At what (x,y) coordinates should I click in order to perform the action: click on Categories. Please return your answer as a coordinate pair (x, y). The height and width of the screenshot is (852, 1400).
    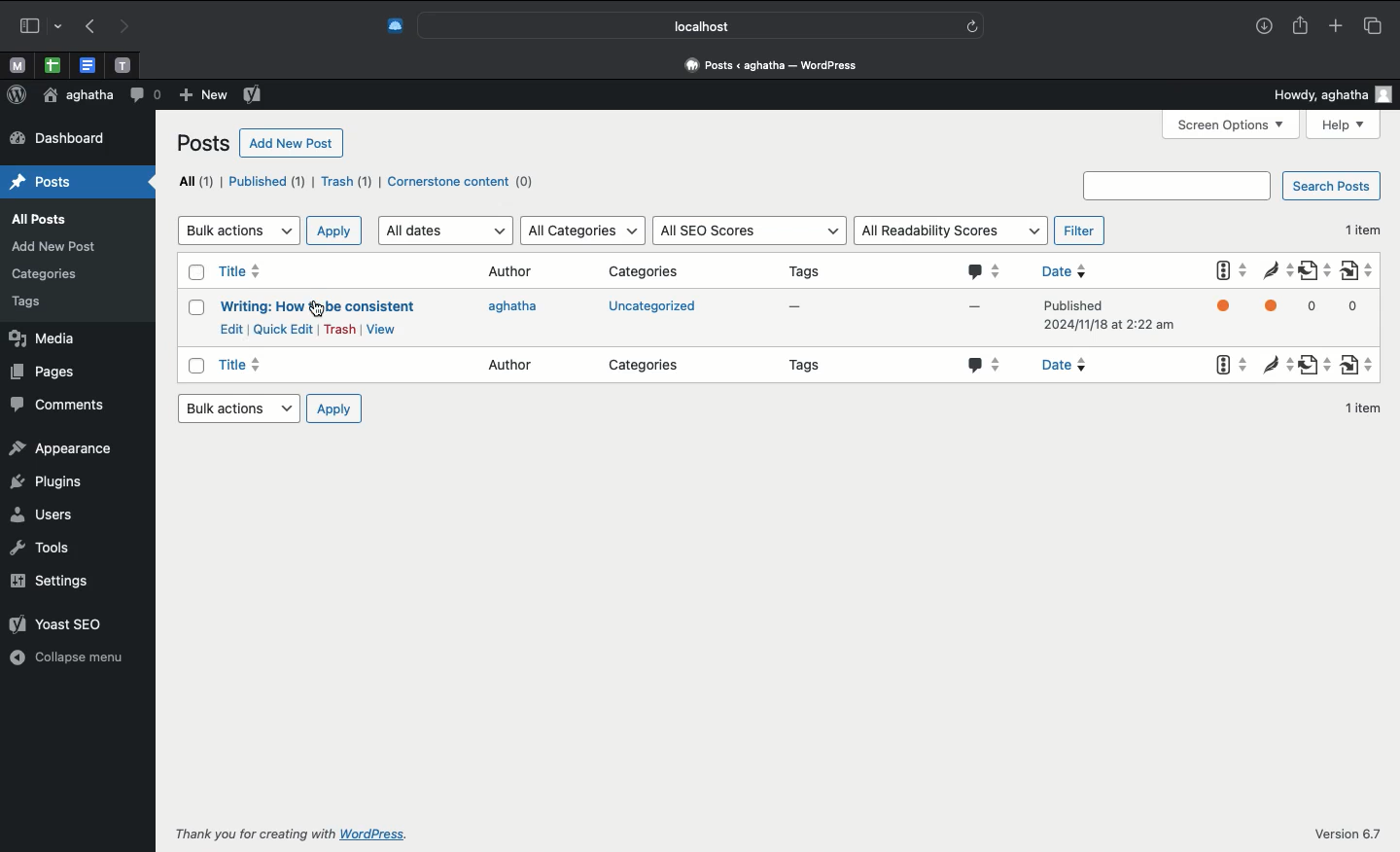
    Looking at the image, I should click on (645, 269).